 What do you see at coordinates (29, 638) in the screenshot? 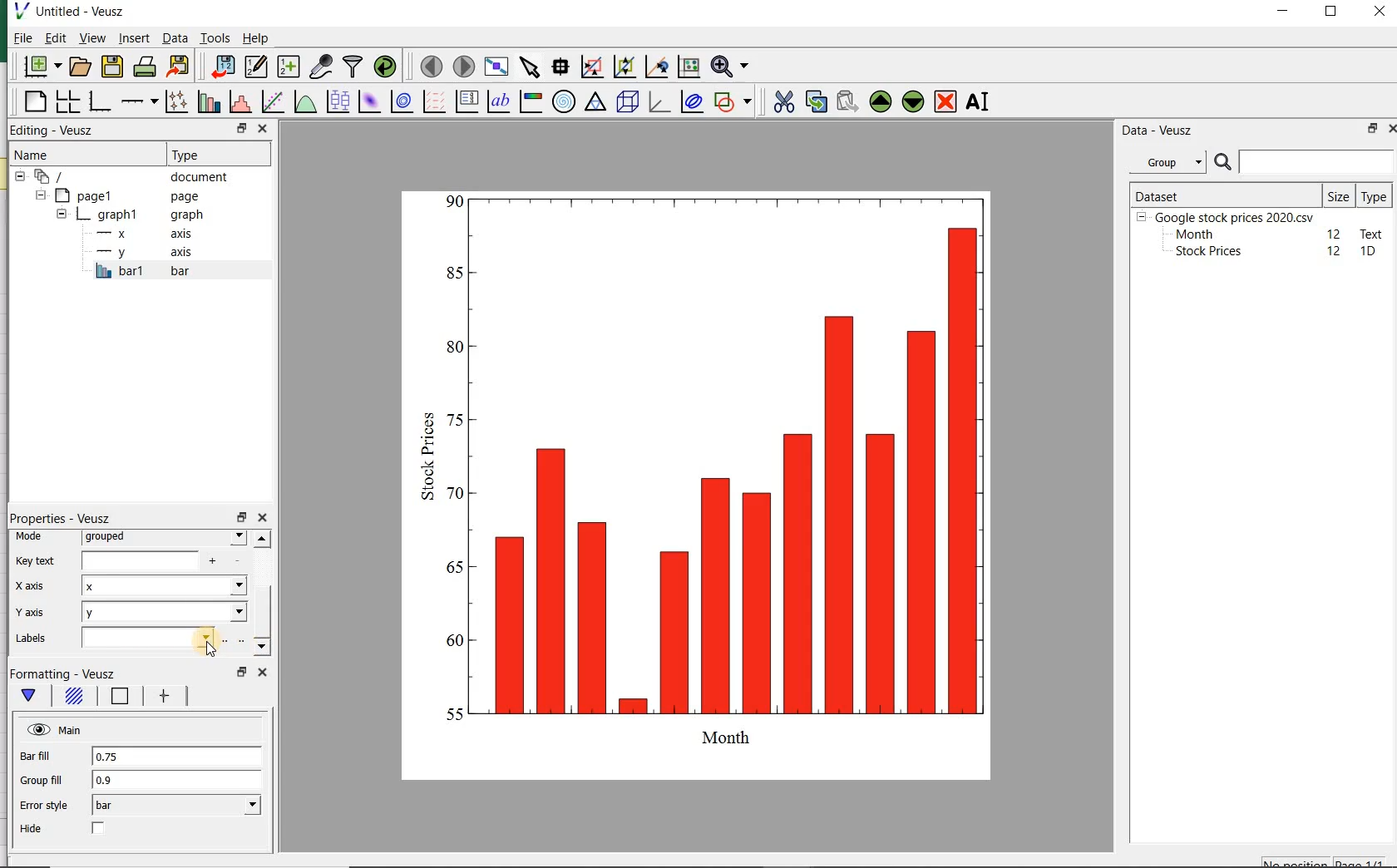
I see `Labels` at bounding box center [29, 638].